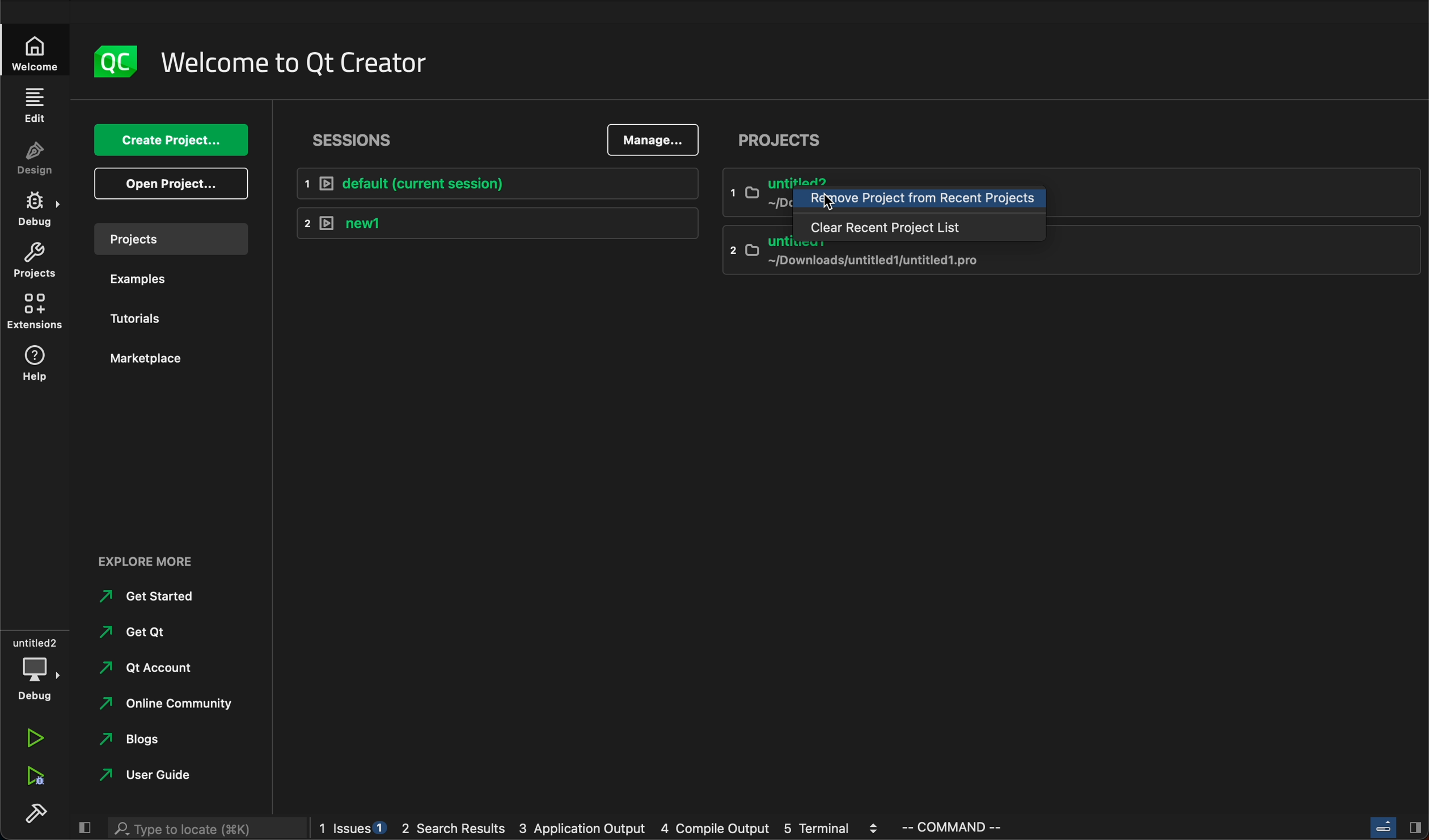  Describe the element at coordinates (153, 596) in the screenshot. I see `get strarted` at that location.